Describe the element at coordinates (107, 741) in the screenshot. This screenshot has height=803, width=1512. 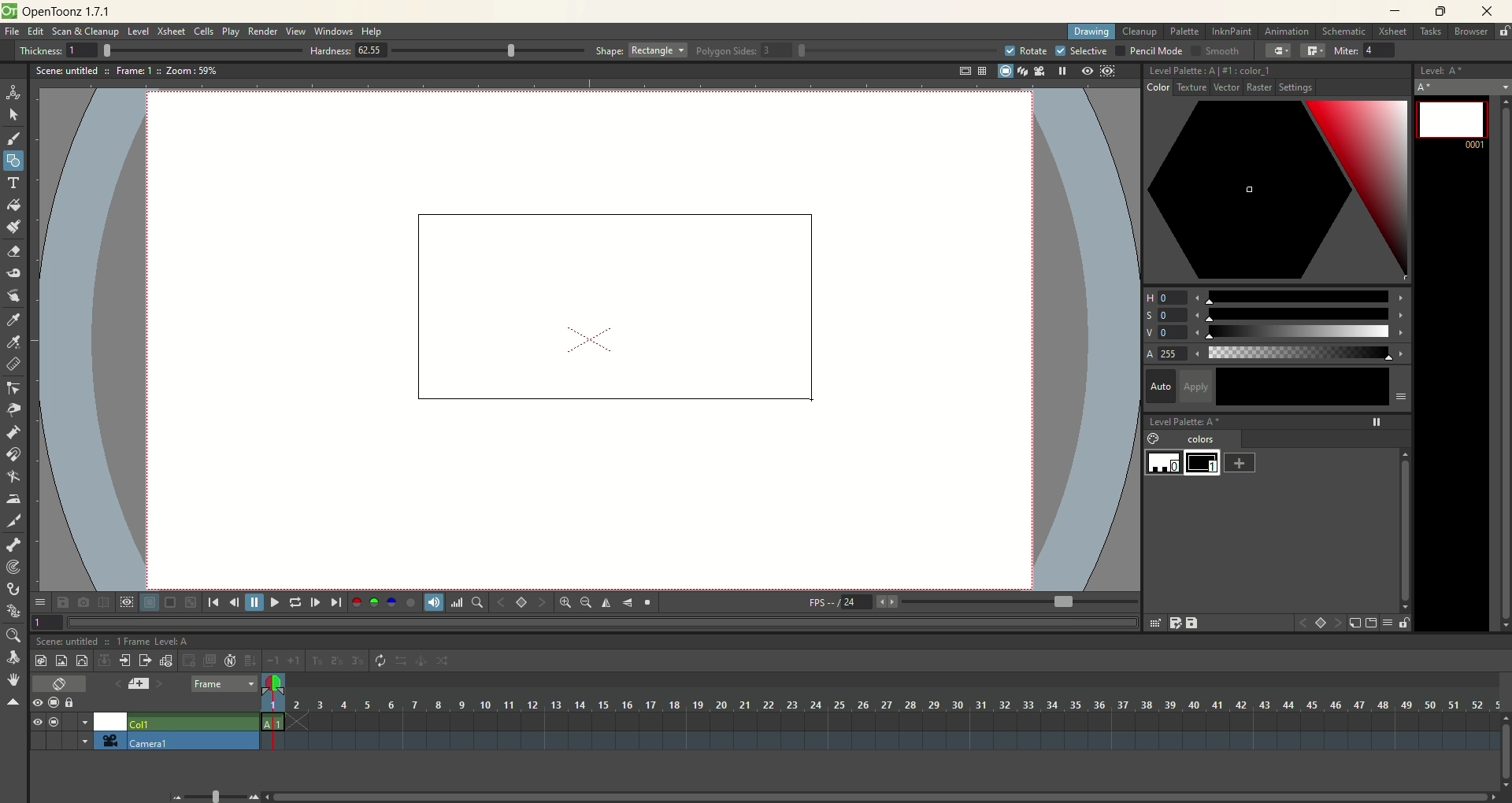
I see `select camera` at that location.